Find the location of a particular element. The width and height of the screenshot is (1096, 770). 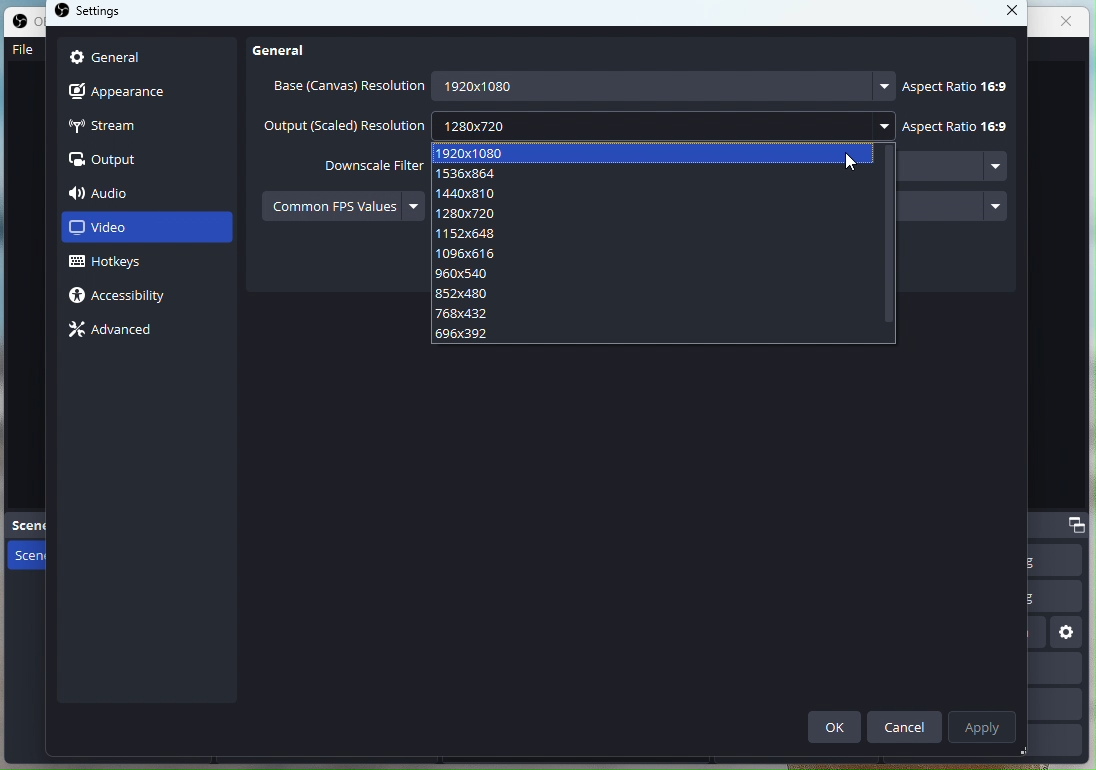

cursor is located at coordinates (849, 164).